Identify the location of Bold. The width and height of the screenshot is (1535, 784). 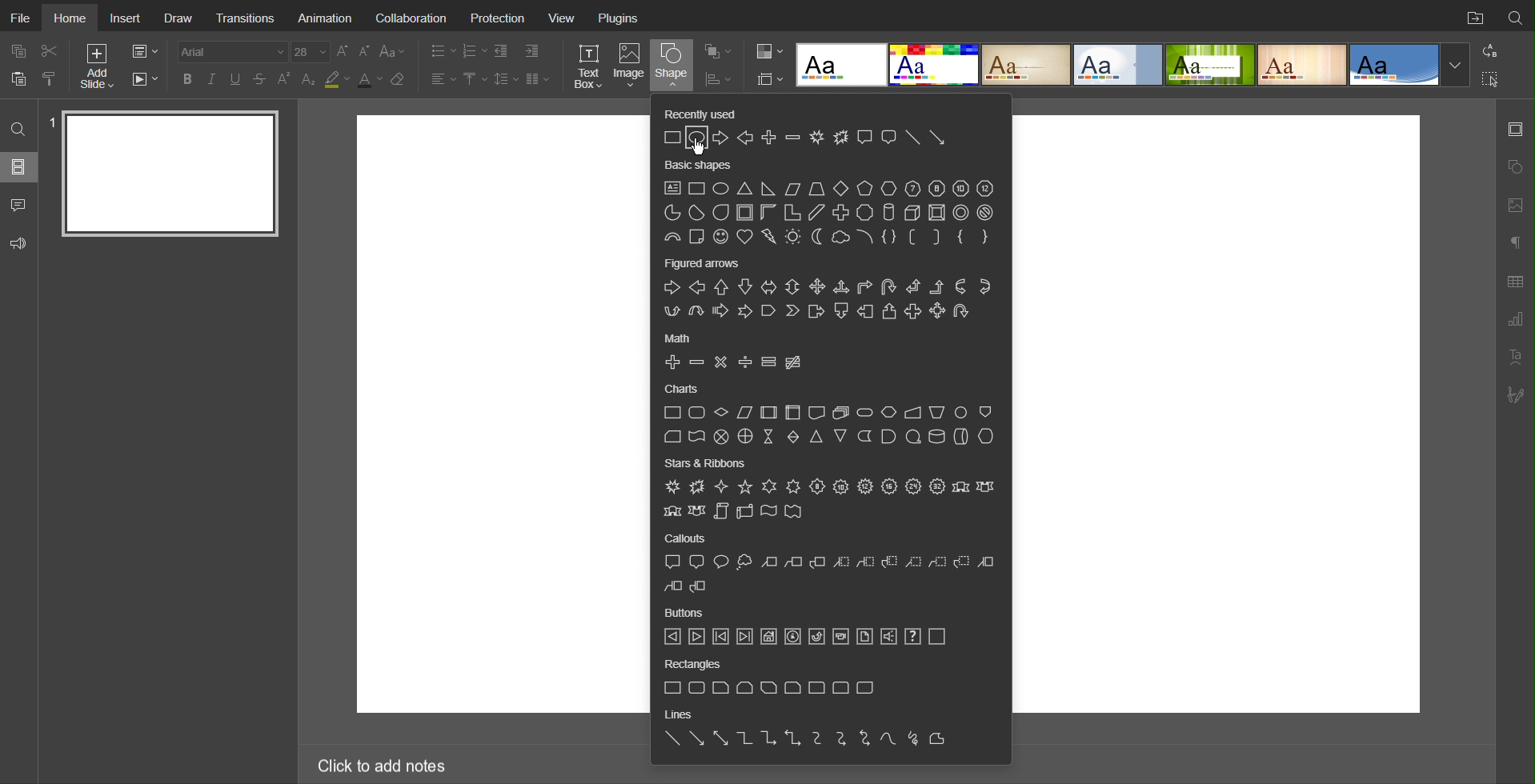
(187, 78).